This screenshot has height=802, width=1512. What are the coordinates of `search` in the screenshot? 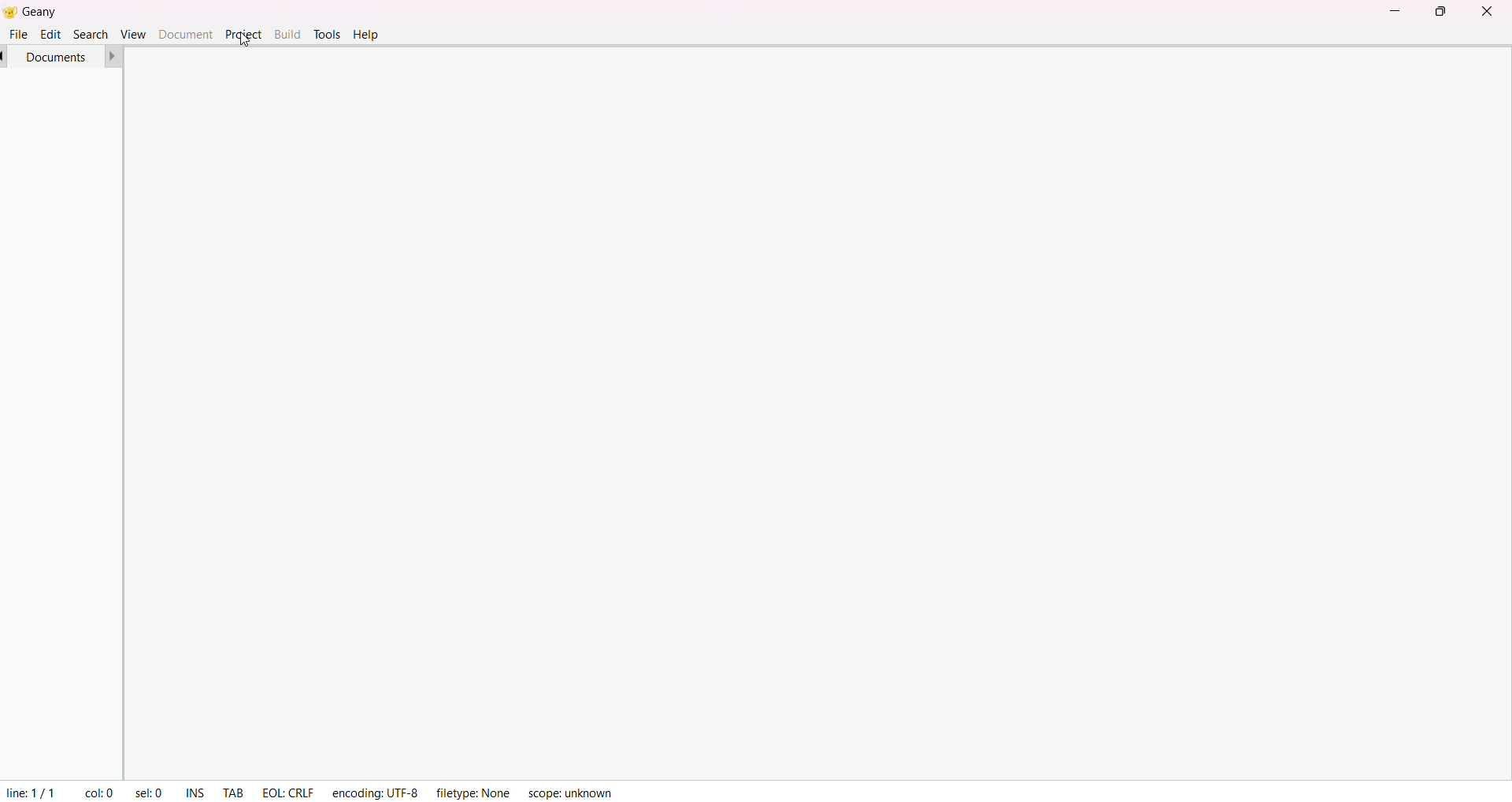 It's located at (89, 33).